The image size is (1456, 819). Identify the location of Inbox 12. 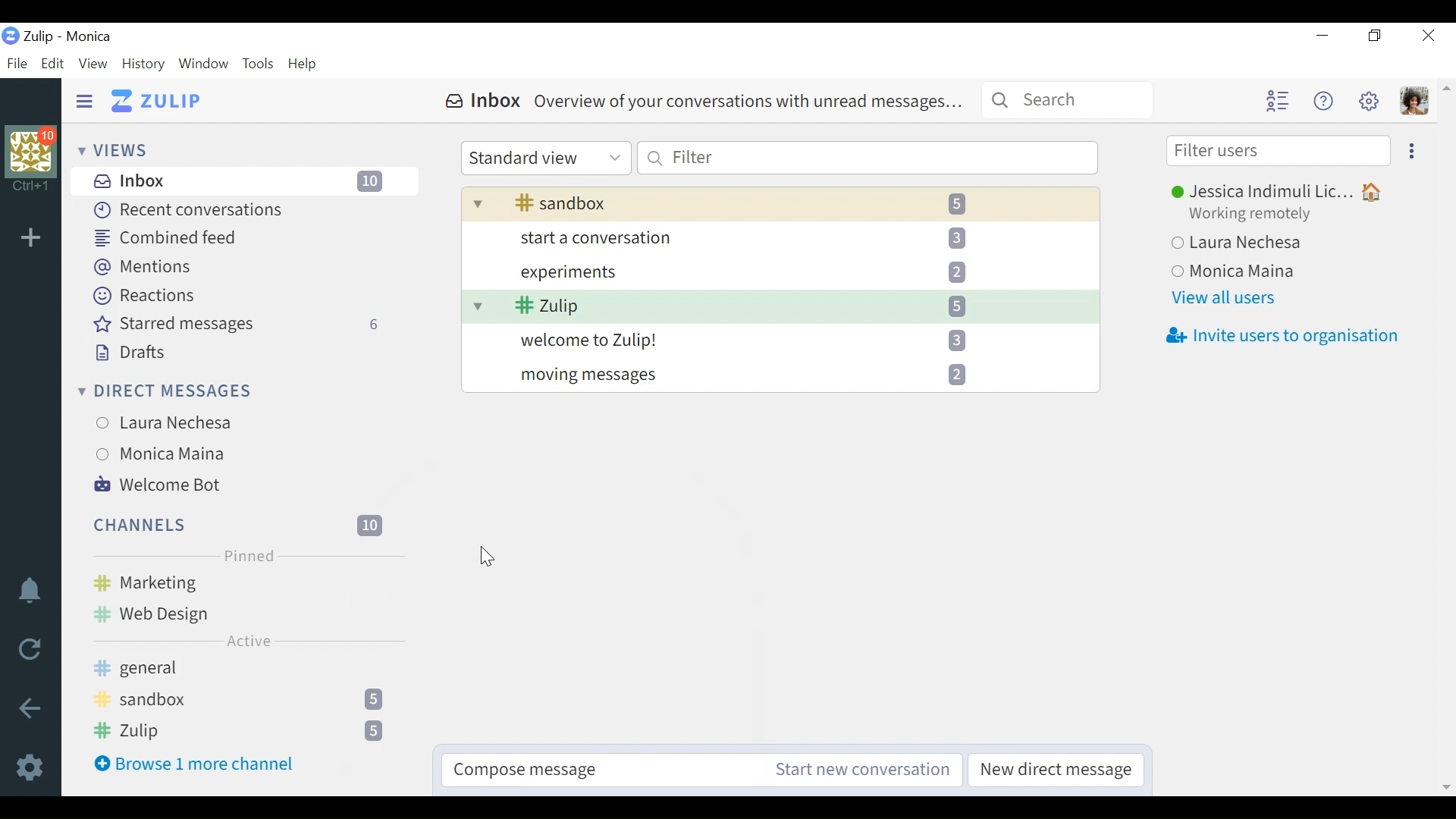
(247, 180).